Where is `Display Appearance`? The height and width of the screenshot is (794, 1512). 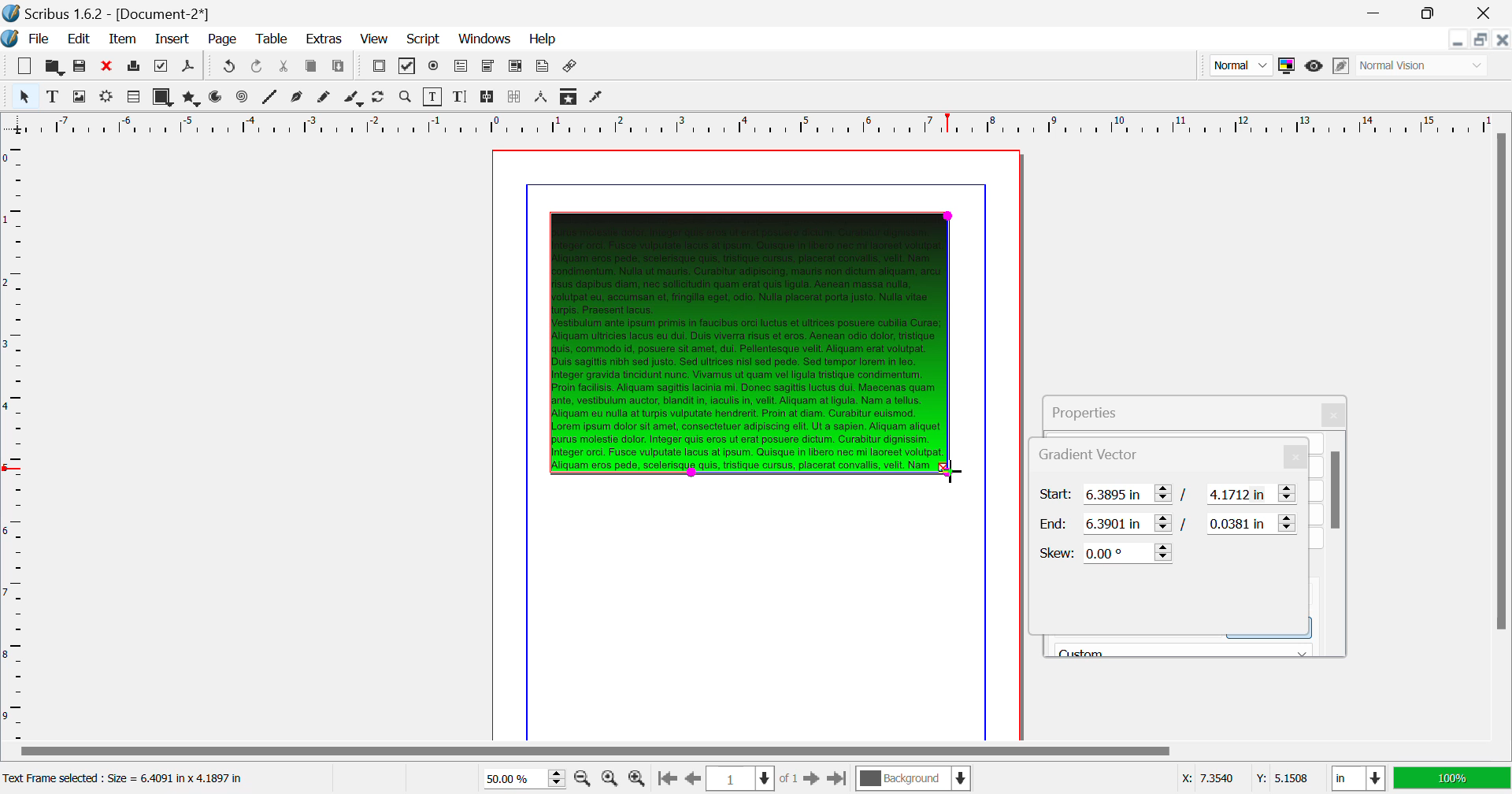 Display Appearance is located at coordinates (1452, 778).